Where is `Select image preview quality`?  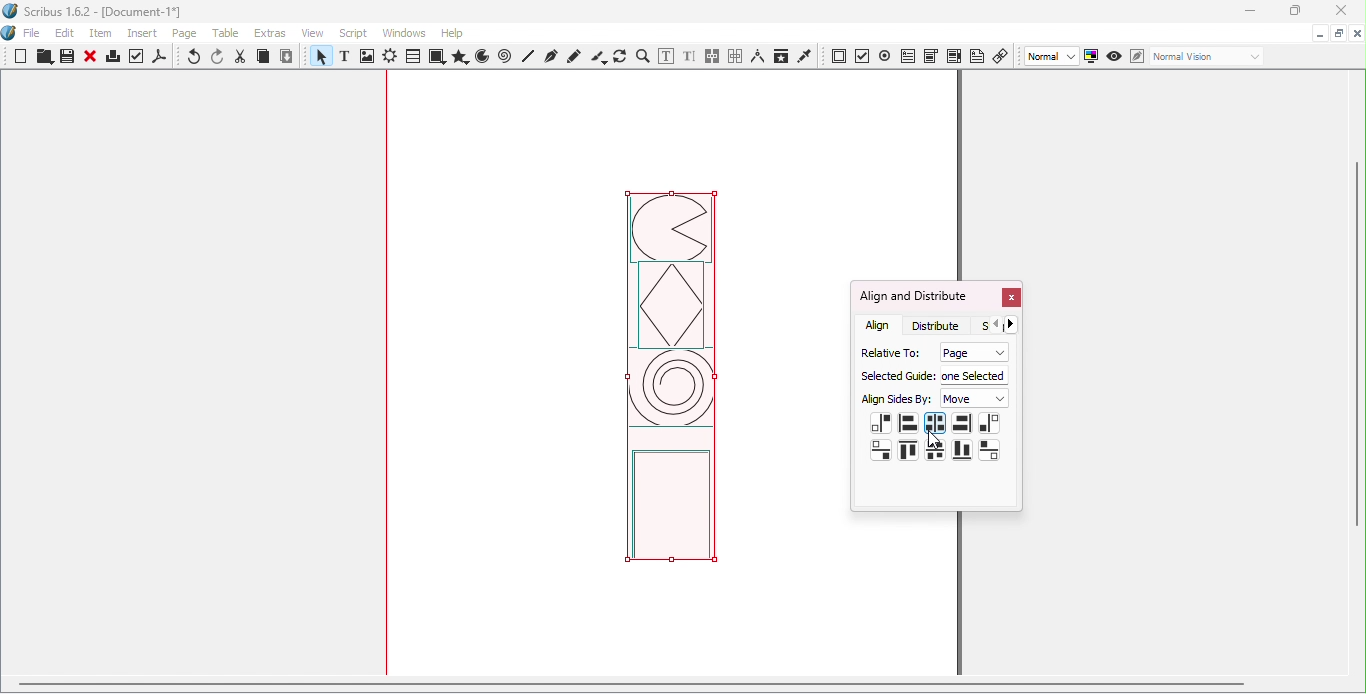 Select image preview quality is located at coordinates (1053, 57).